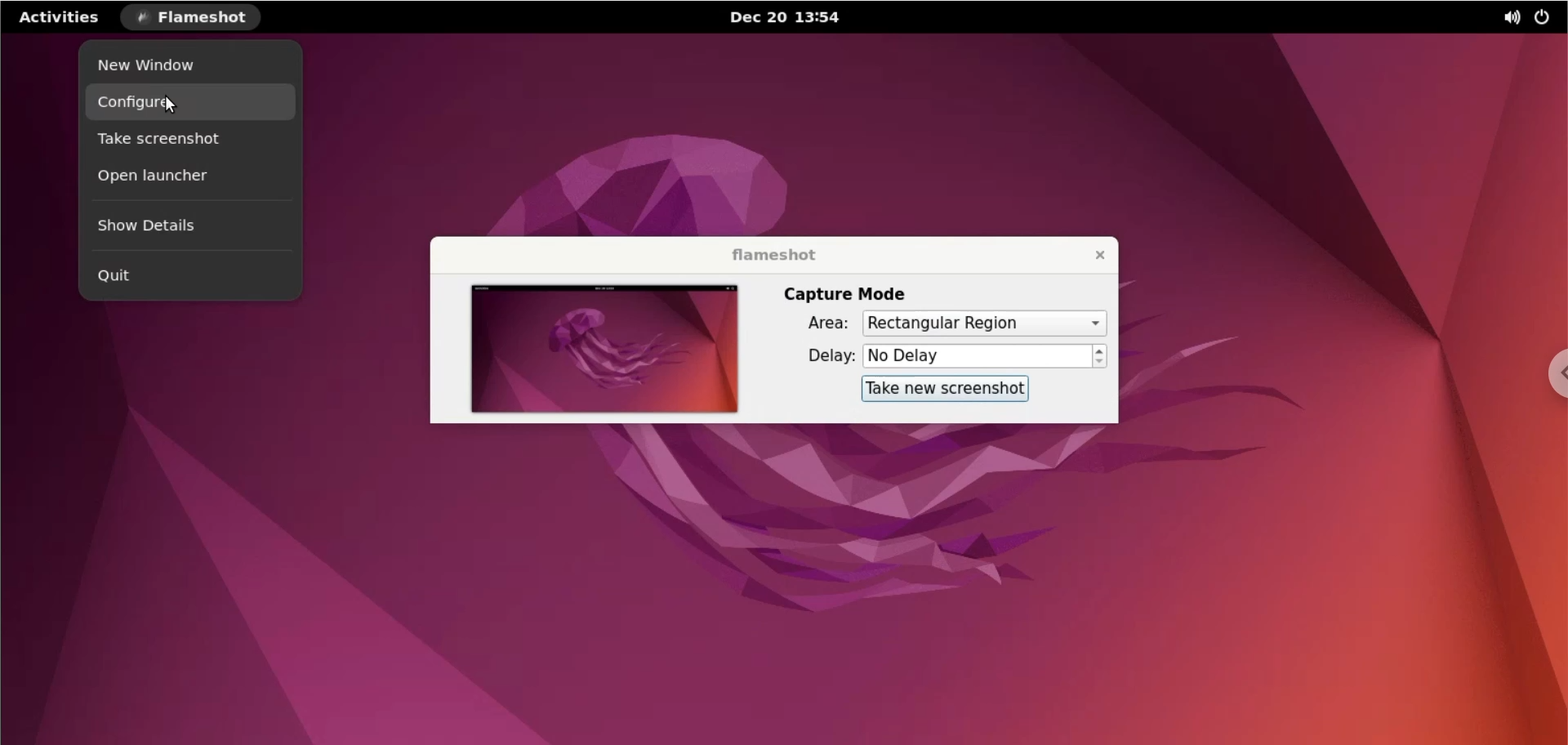 The image size is (1568, 745). Describe the element at coordinates (851, 293) in the screenshot. I see `capture mode` at that location.